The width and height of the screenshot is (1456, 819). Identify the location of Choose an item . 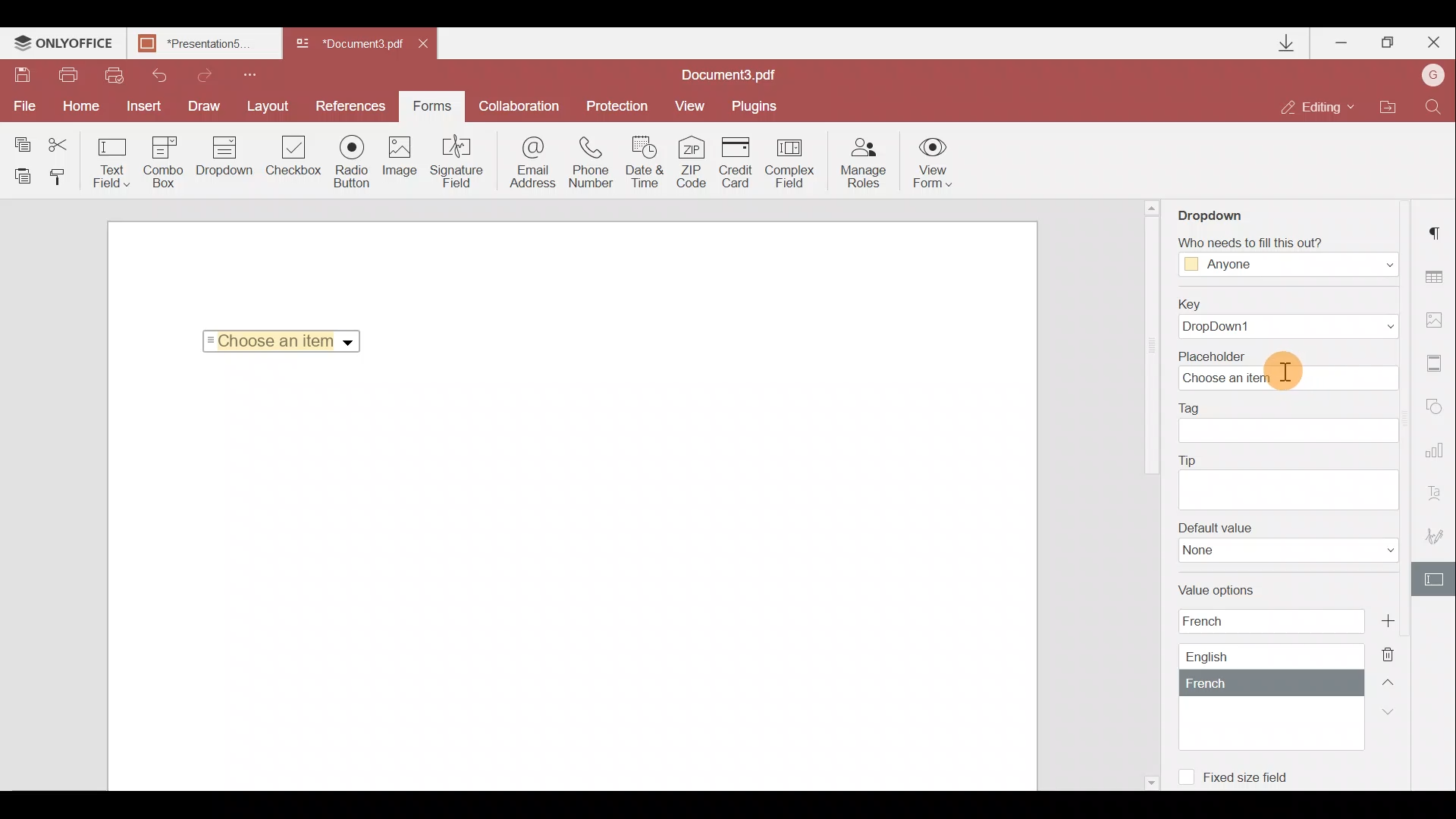
(287, 338).